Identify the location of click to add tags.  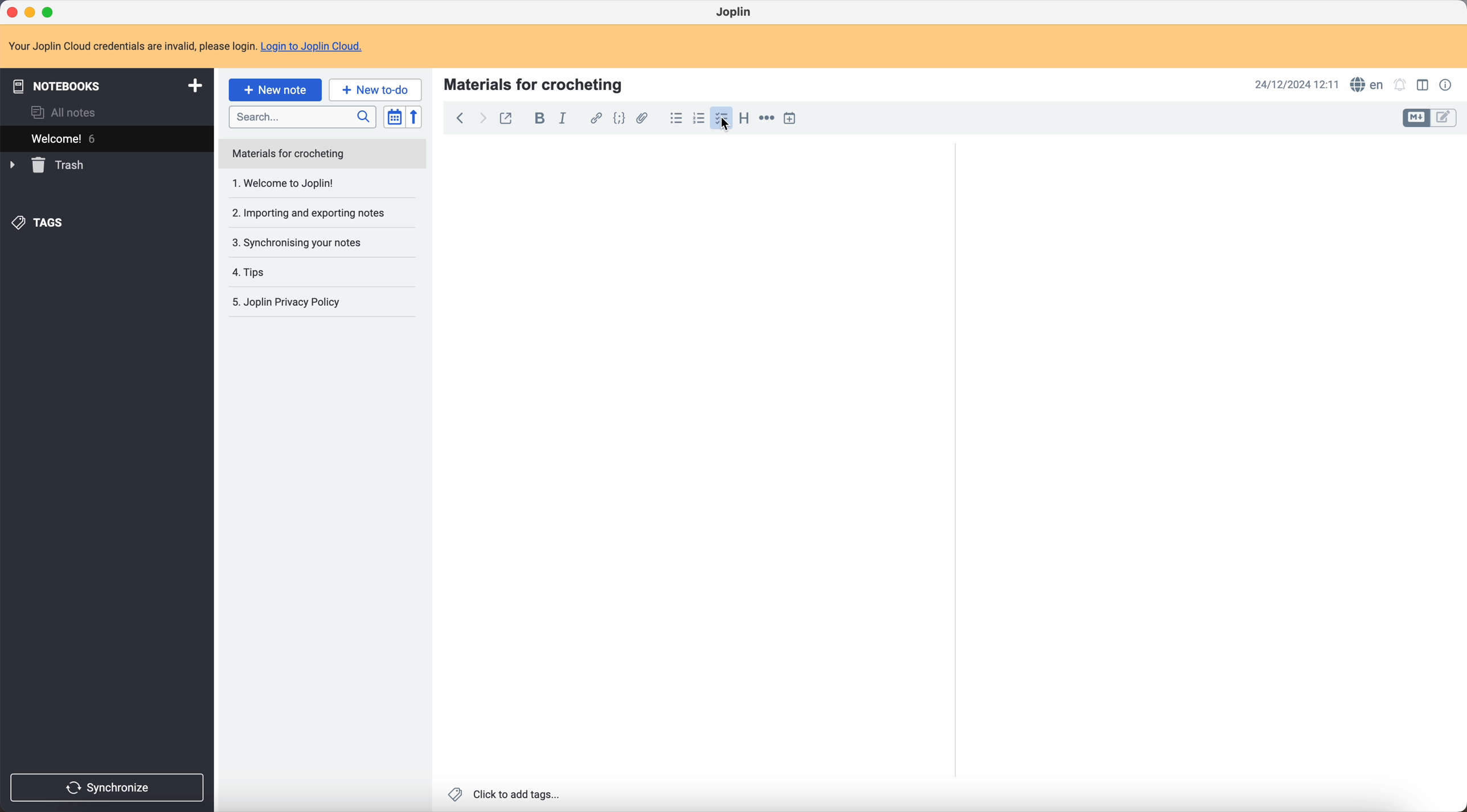
(506, 795).